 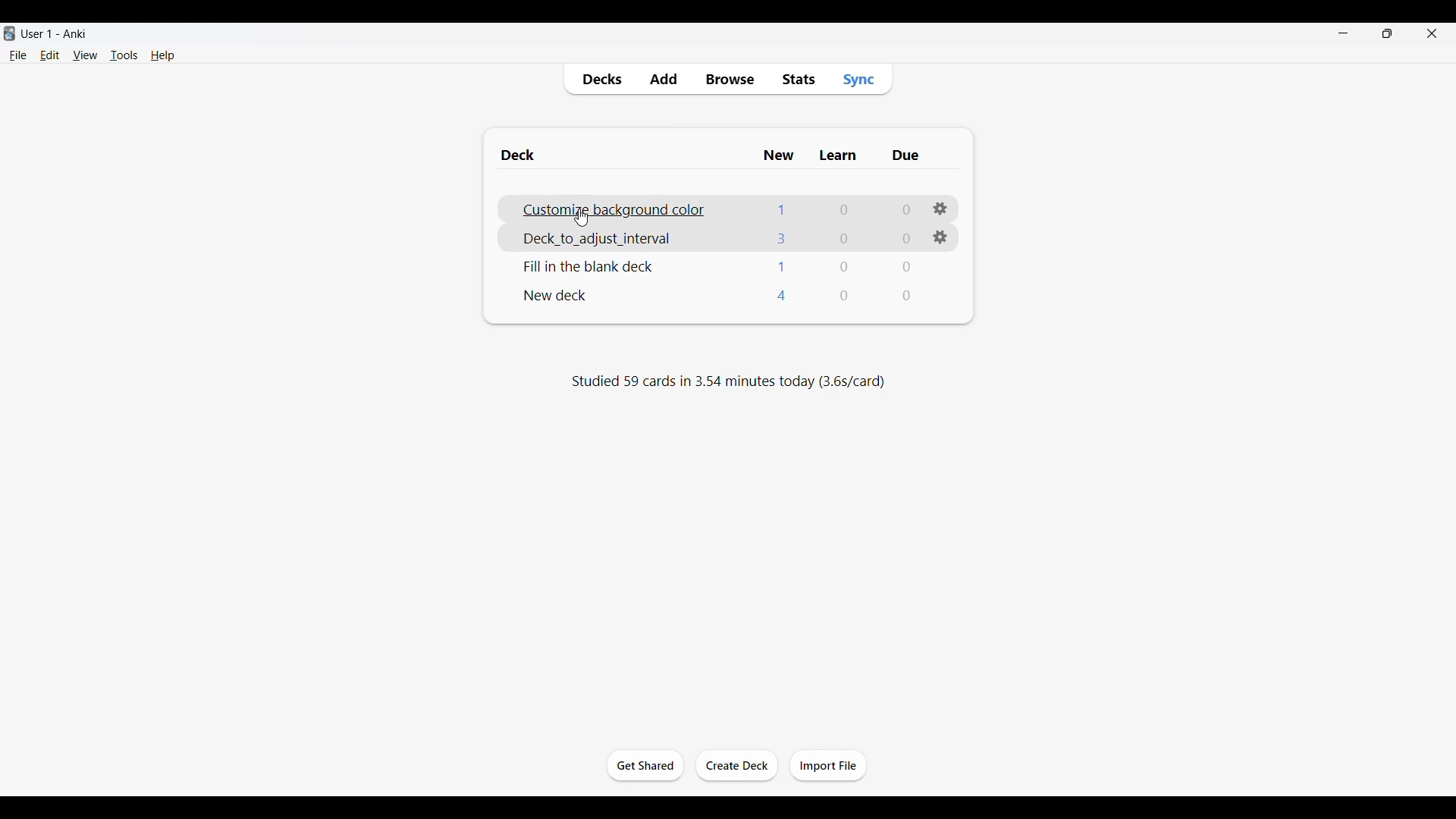 I want to click on Help menu, so click(x=163, y=55).